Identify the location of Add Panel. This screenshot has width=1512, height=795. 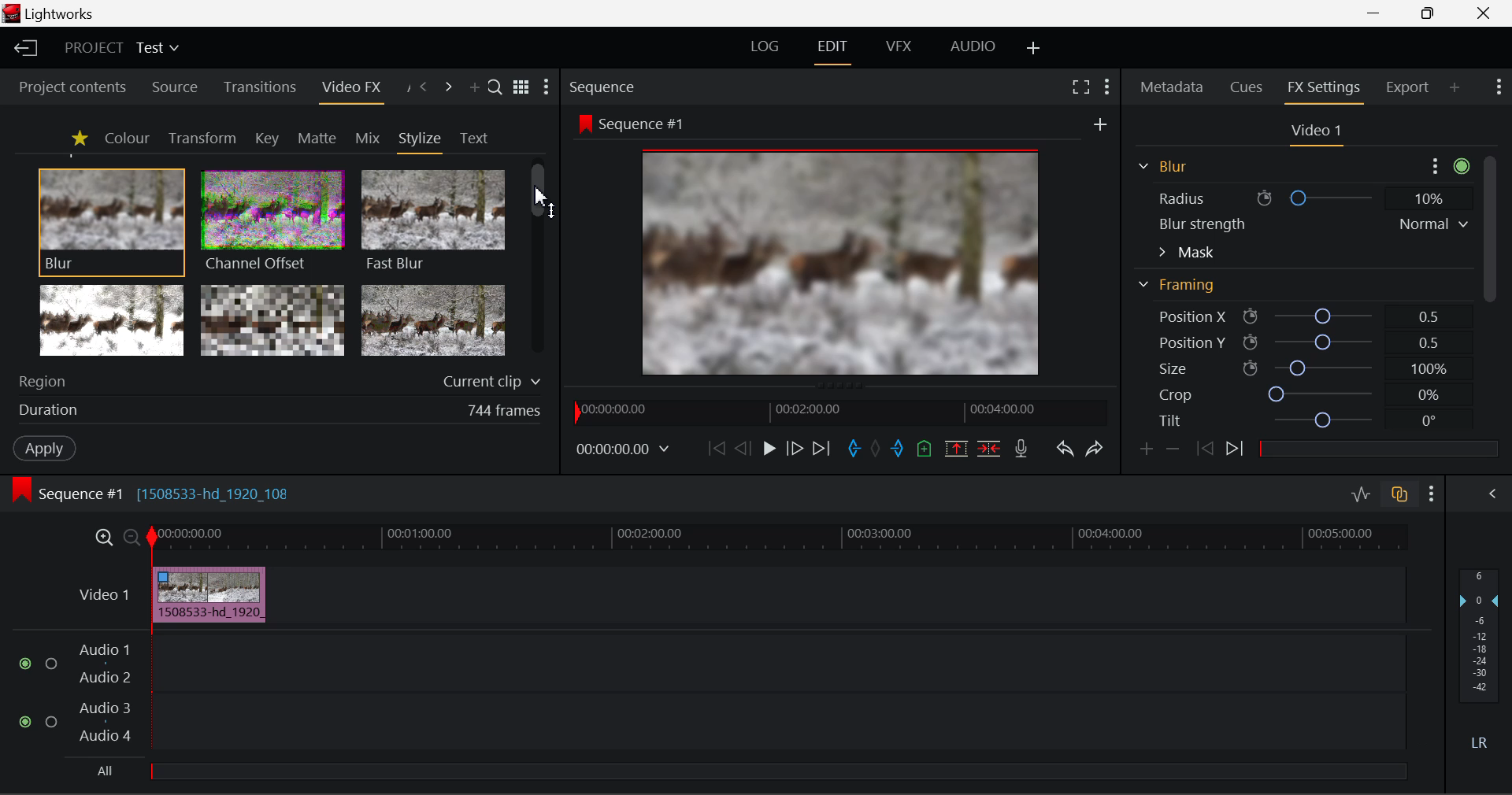
(474, 89).